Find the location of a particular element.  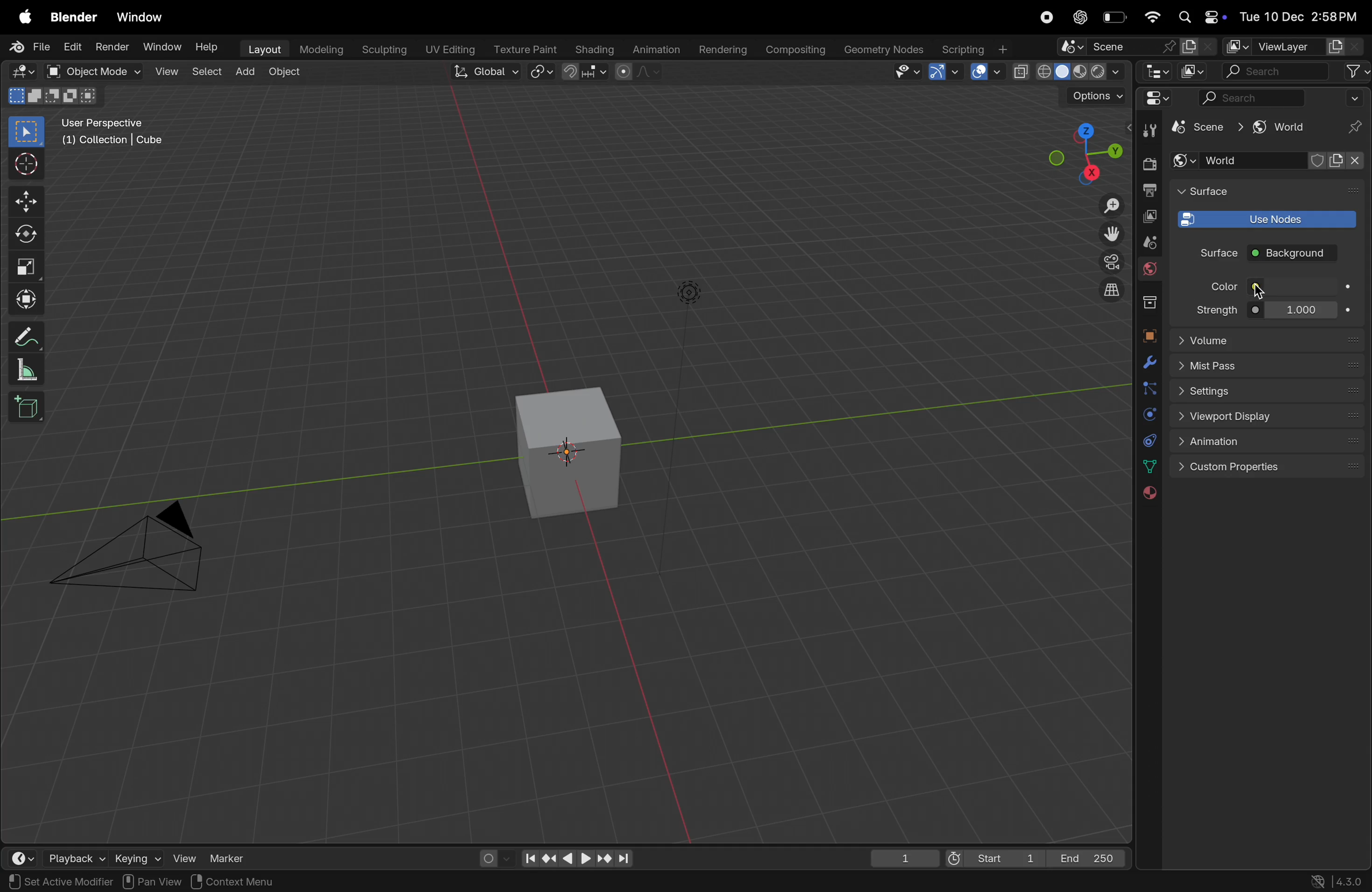

context menu is located at coordinates (240, 881).